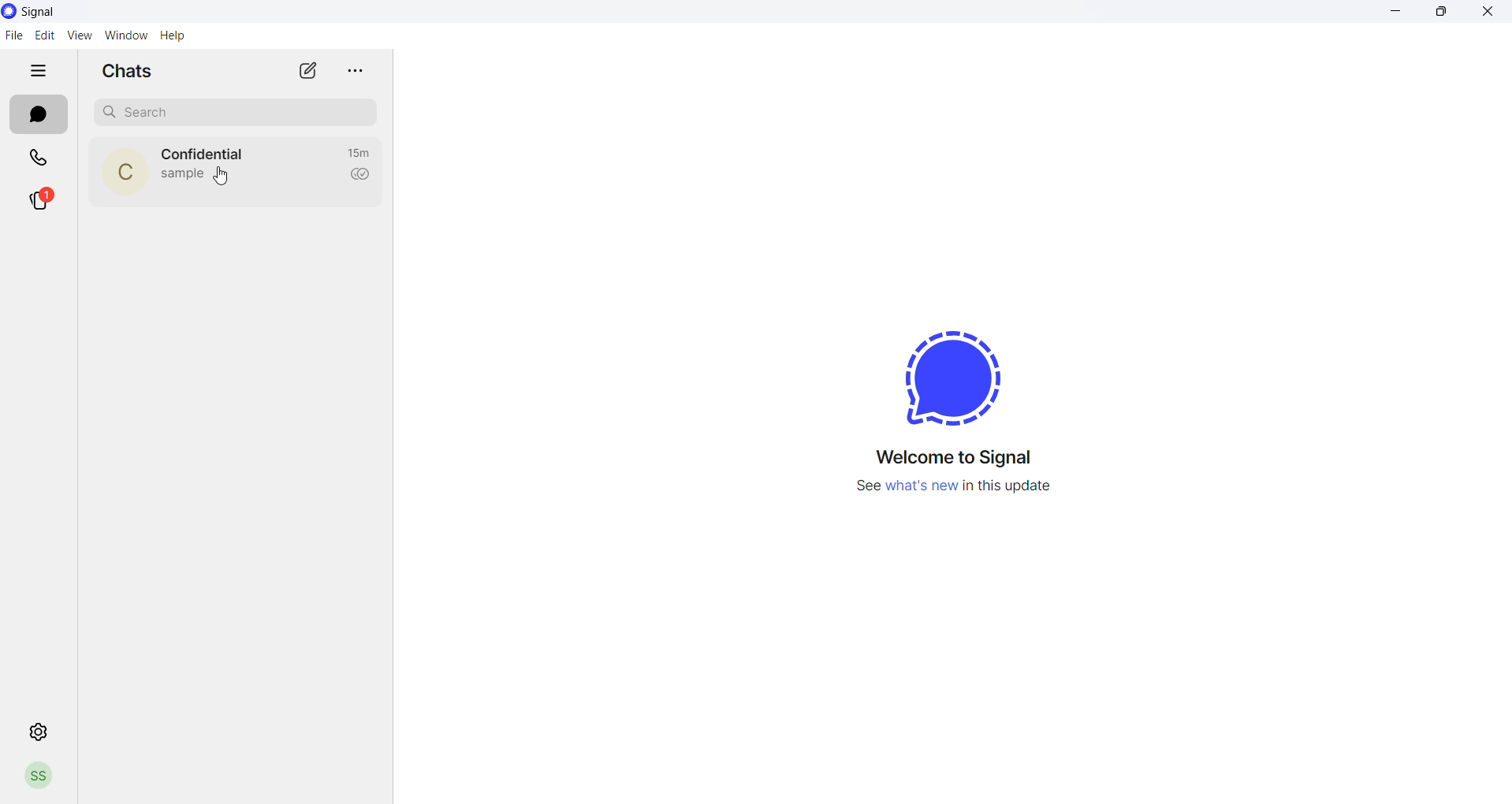 Image resolution: width=1512 pixels, height=804 pixels. I want to click on C, so click(125, 176).